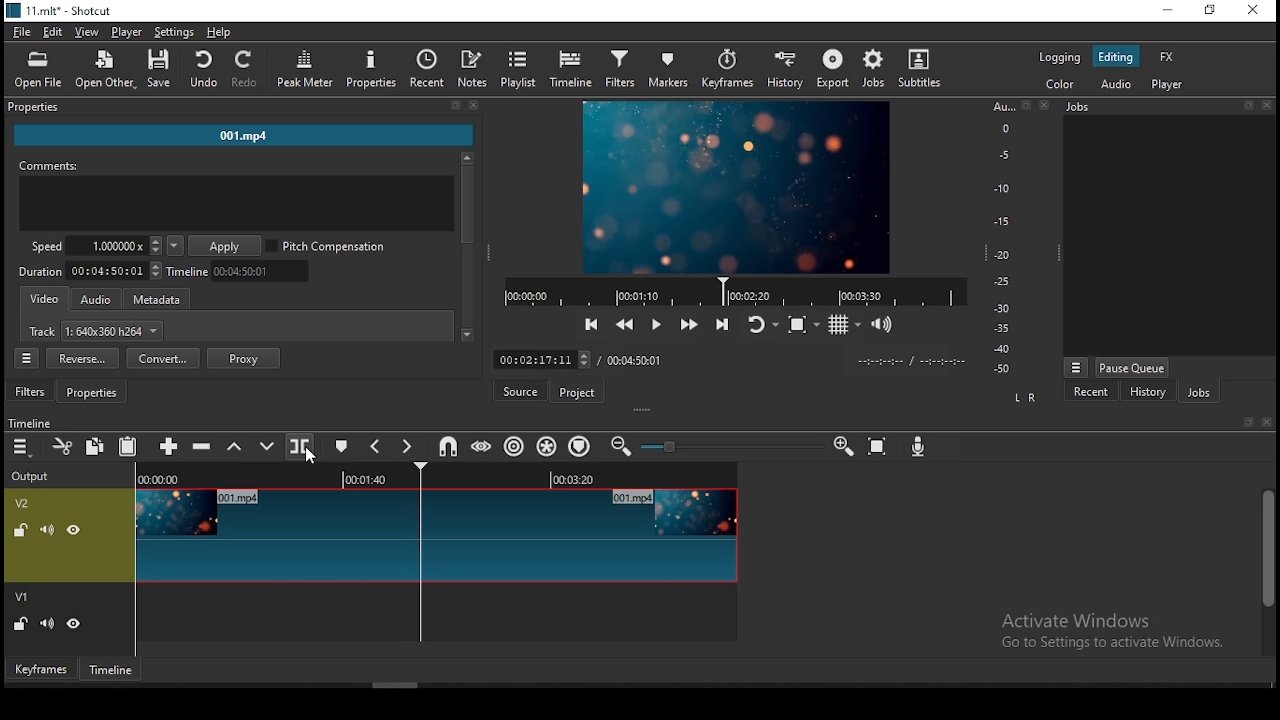 The width and height of the screenshot is (1280, 720). I want to click on toggle grid display on the player, so click(847, 324).